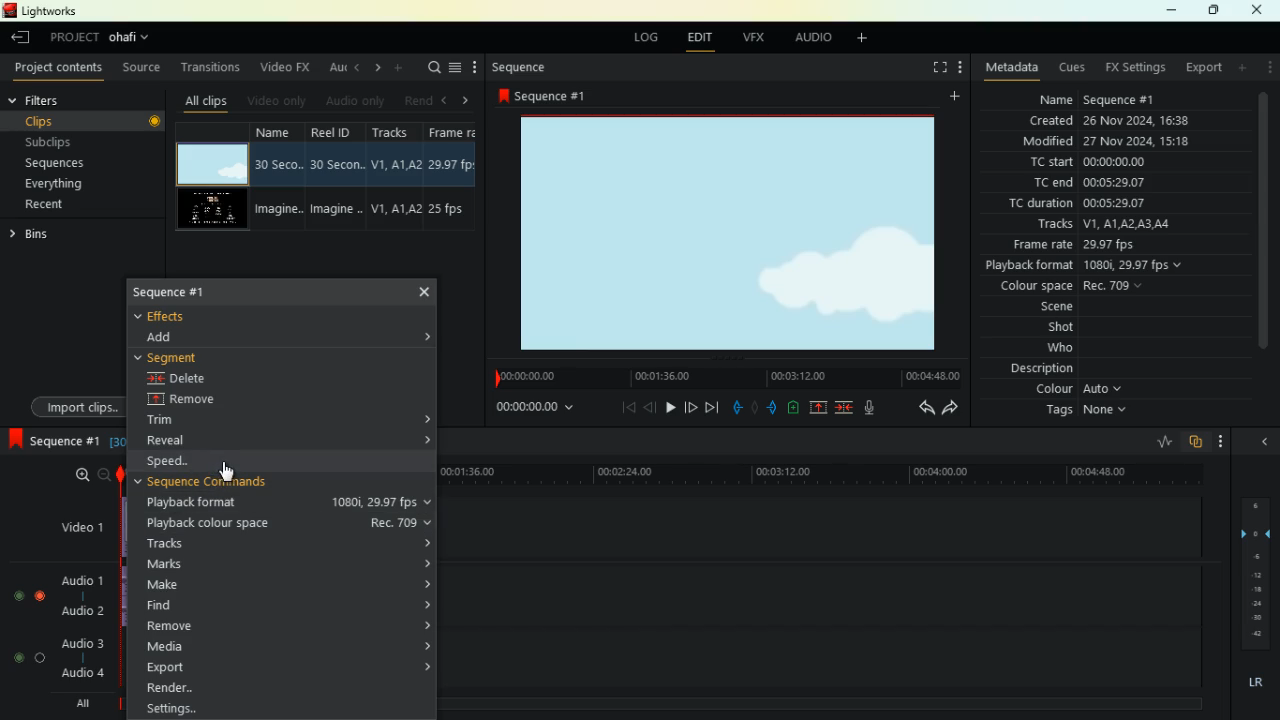 This screenshot has height=720, width=1280. What do you see at coordinates (60, 143) in the screenshot?
I see `subclips` at bounding box center [60, 143].